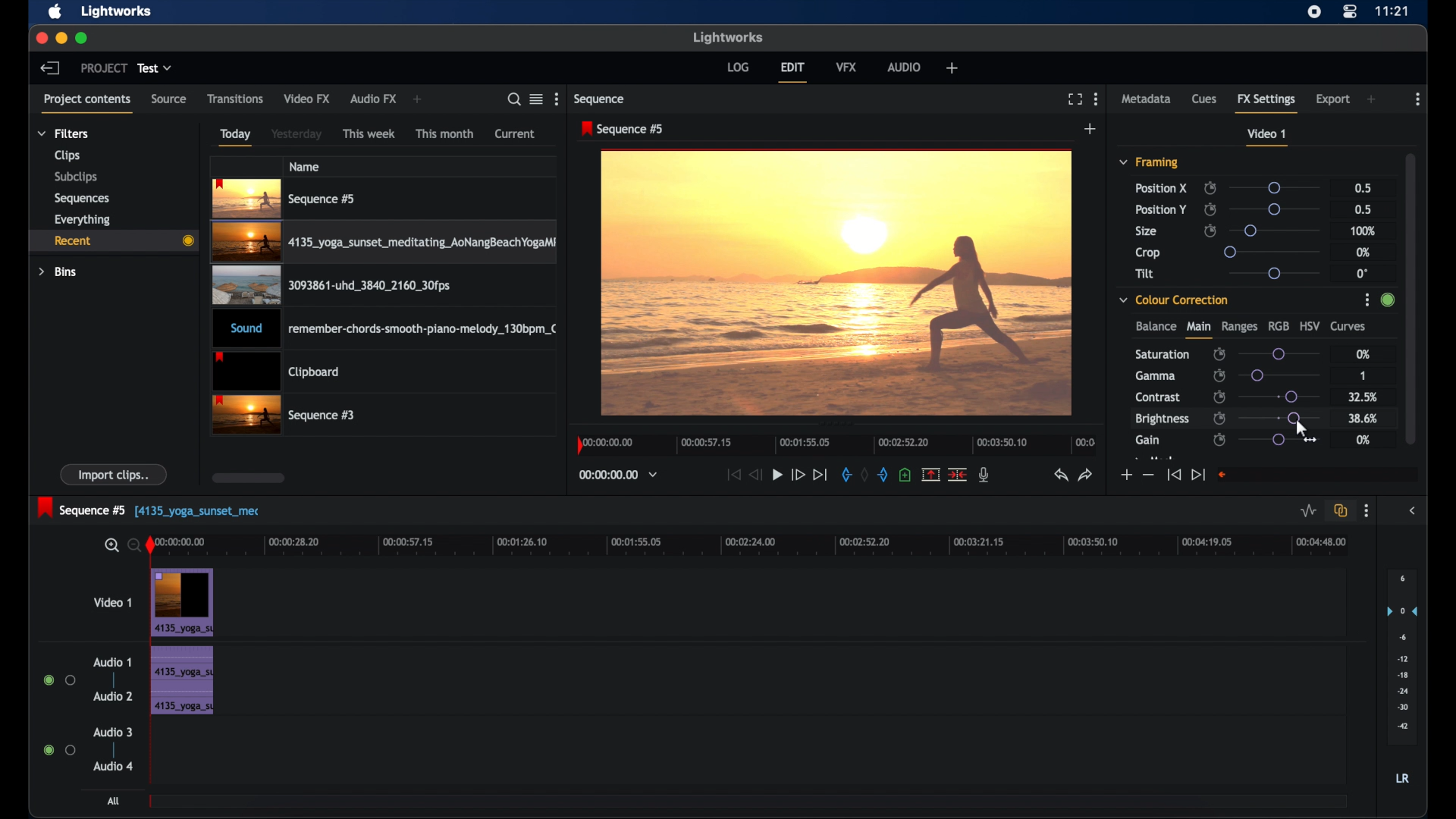  I want to click on 1, so click(1365, 374).